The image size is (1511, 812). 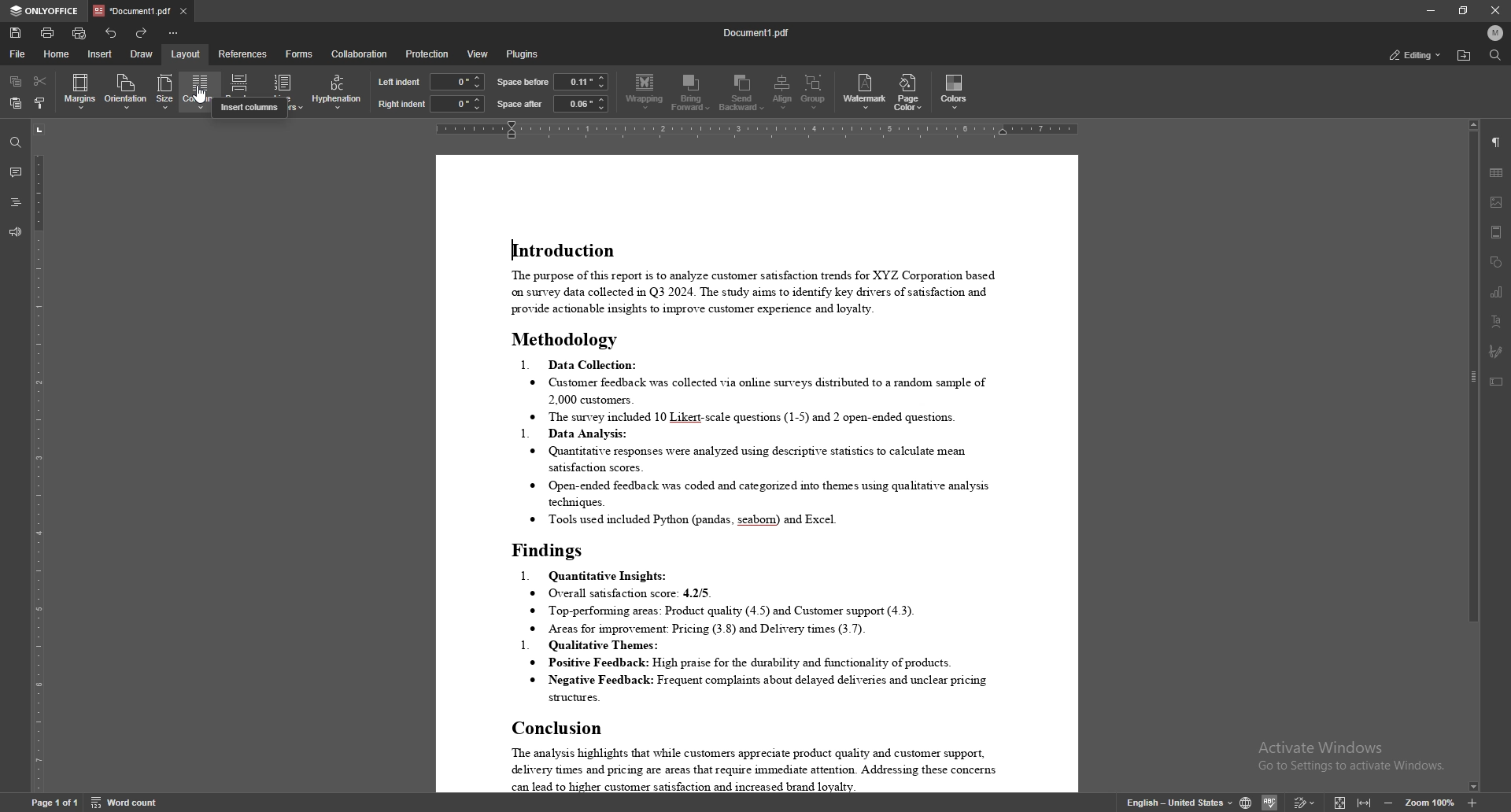 What do you see at coordinates (143, 54) in the screenshot?
I see `draw` at bounding box center [143, 54].